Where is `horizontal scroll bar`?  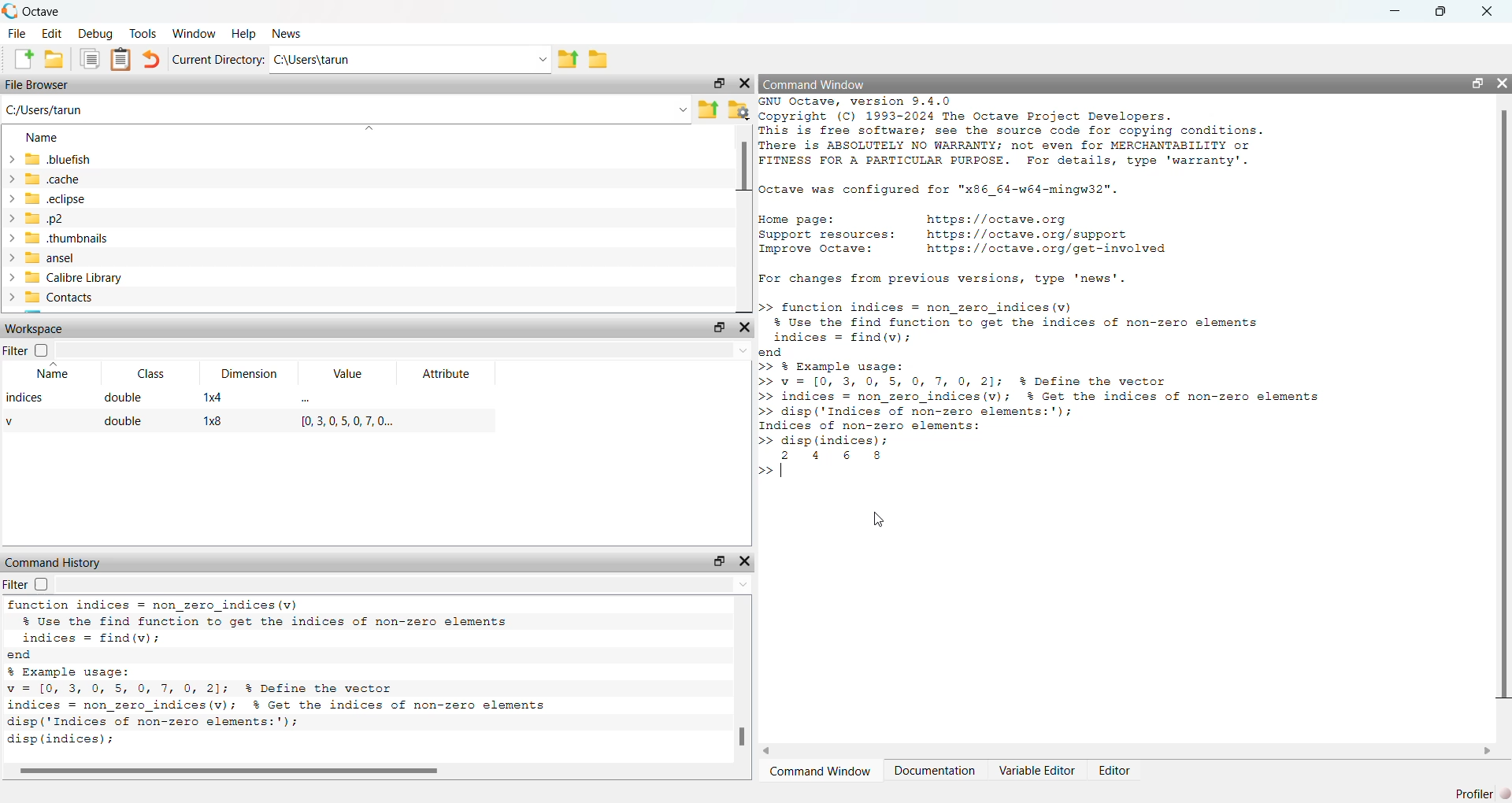
horizontal scroll bar is located at coordinates (377, 771).